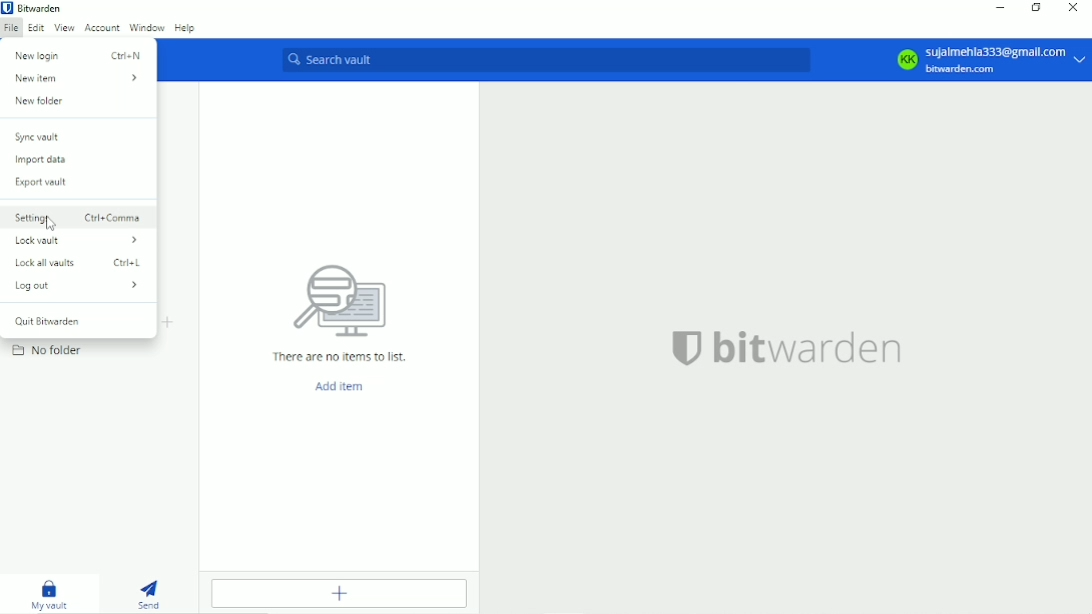  What do you see at coordinates (64, 29) in the screenshot?
I see `View` at bounding box center [64, 29].